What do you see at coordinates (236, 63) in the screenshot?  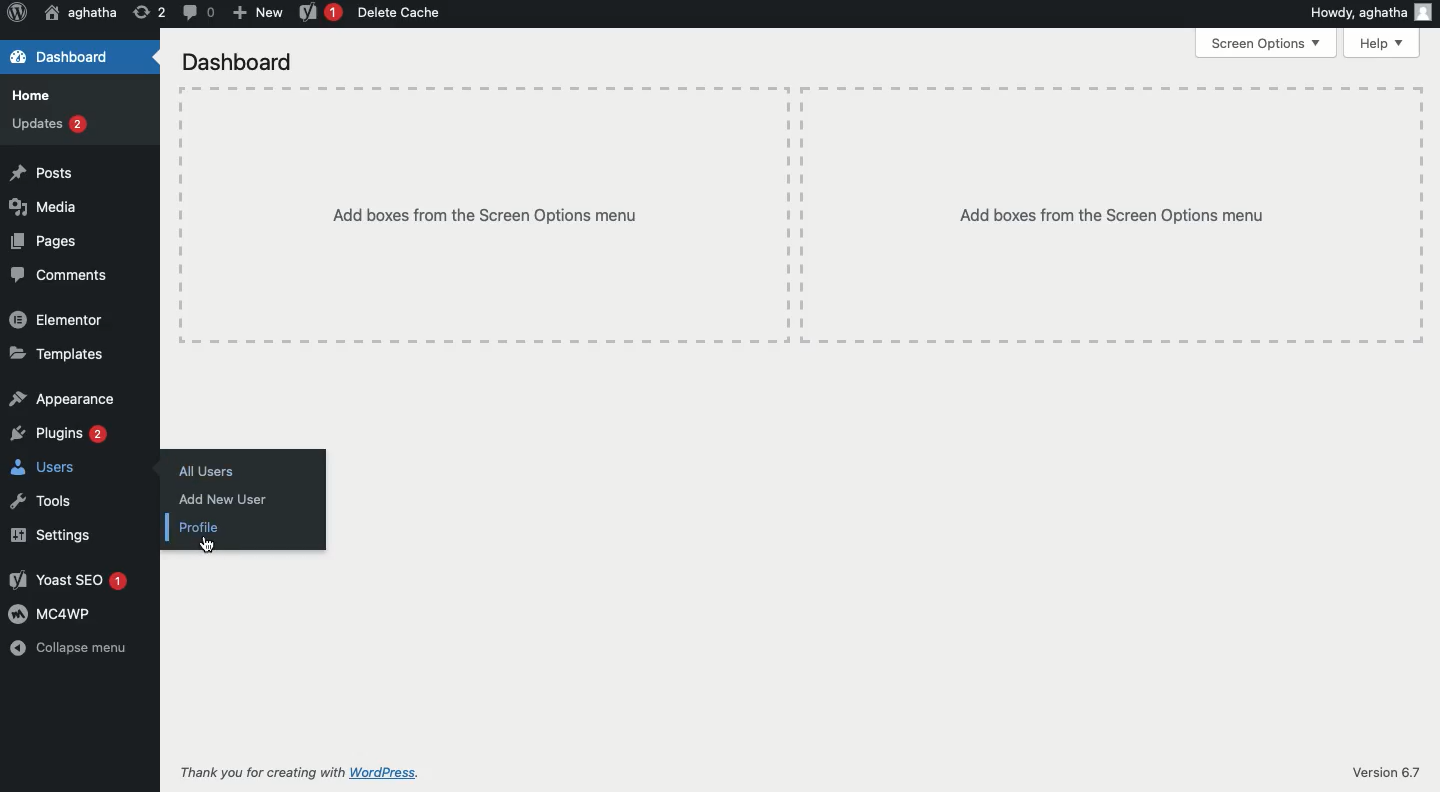 I see `Dashboard` at bounding box center [236, 63].